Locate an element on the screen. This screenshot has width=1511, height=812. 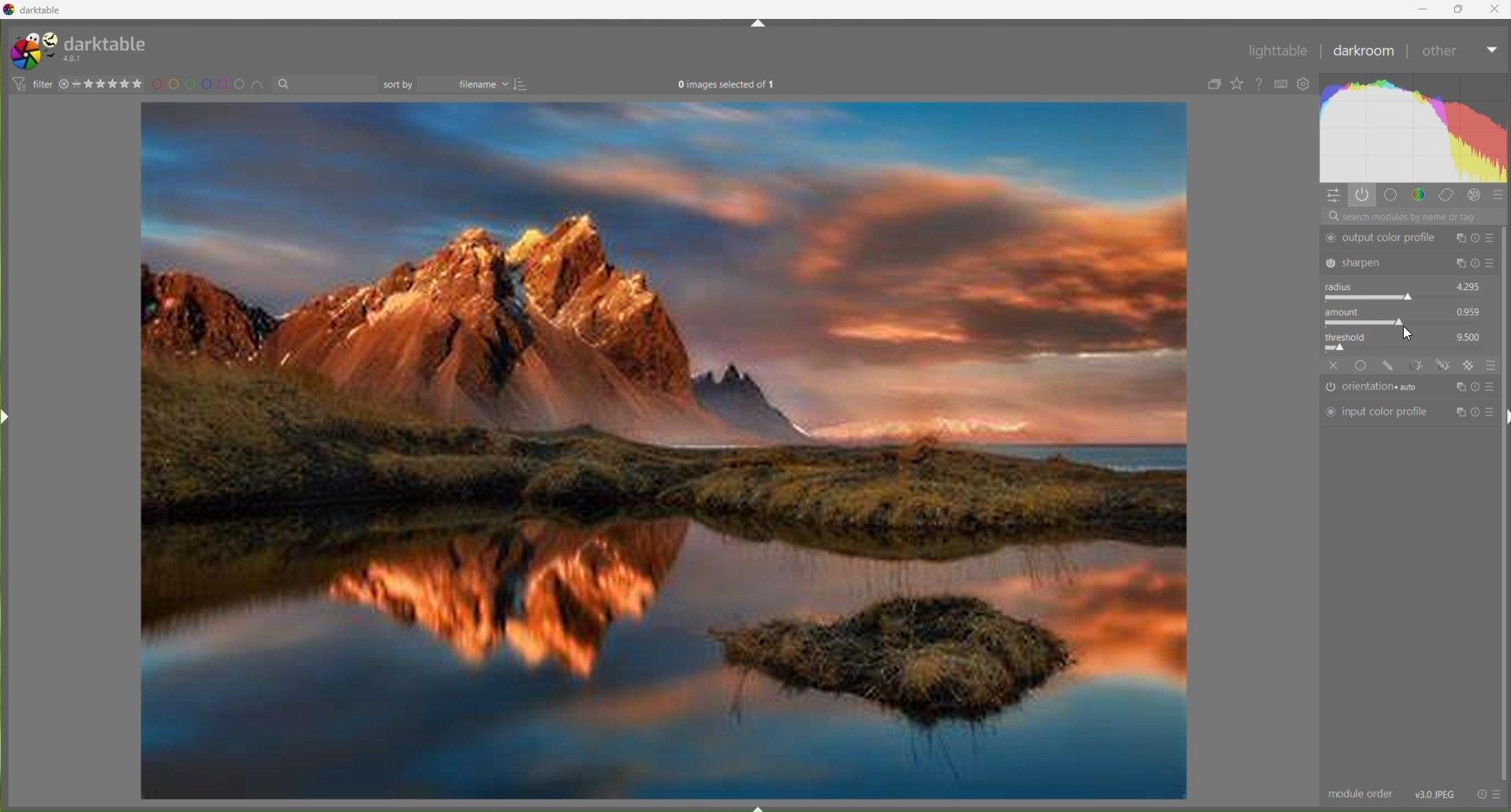
sort by is located at coordinates (399, 84).